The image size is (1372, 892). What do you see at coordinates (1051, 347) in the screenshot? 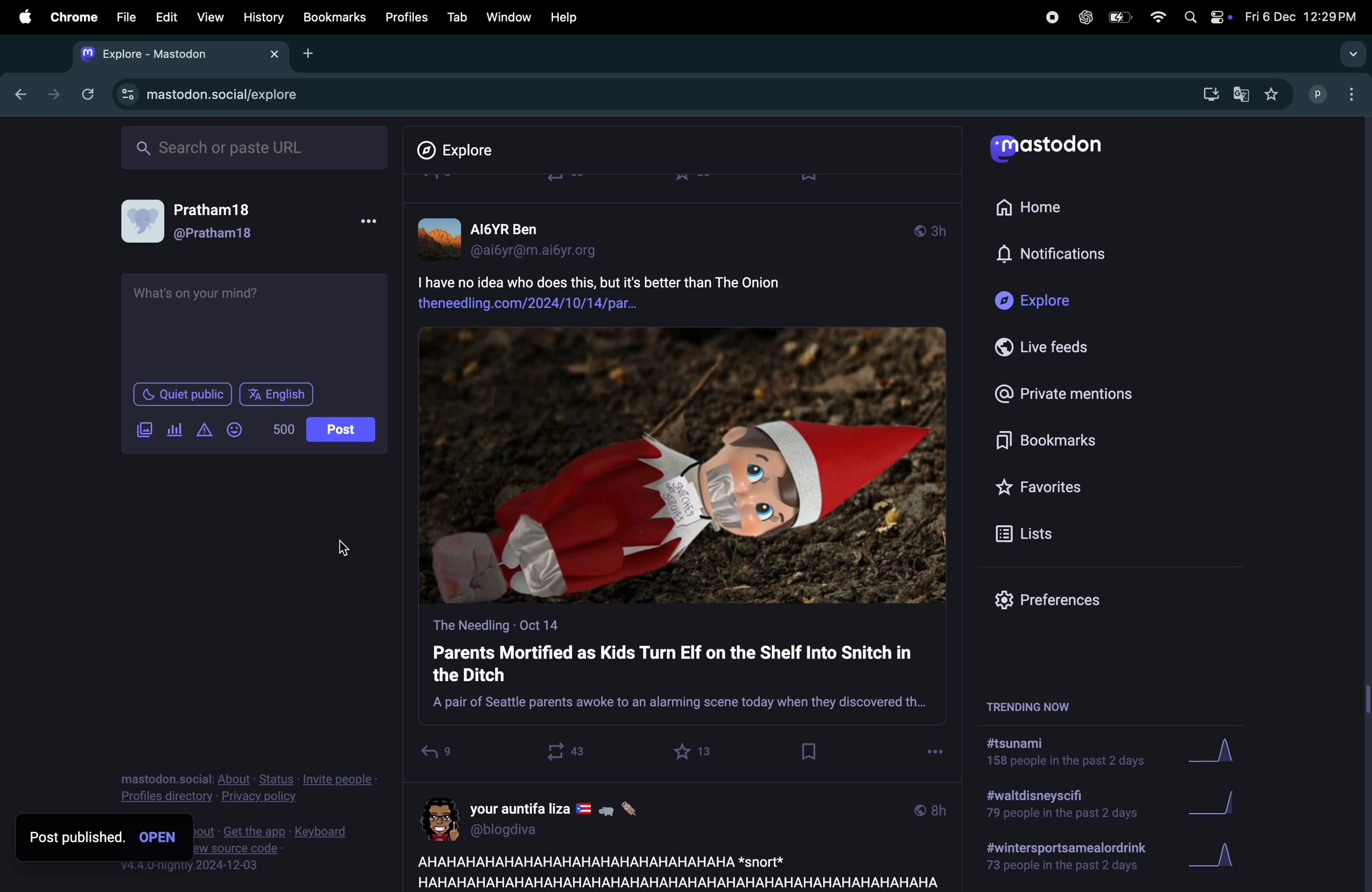
I see `Live feeds` at bounding box center [1051, 347].